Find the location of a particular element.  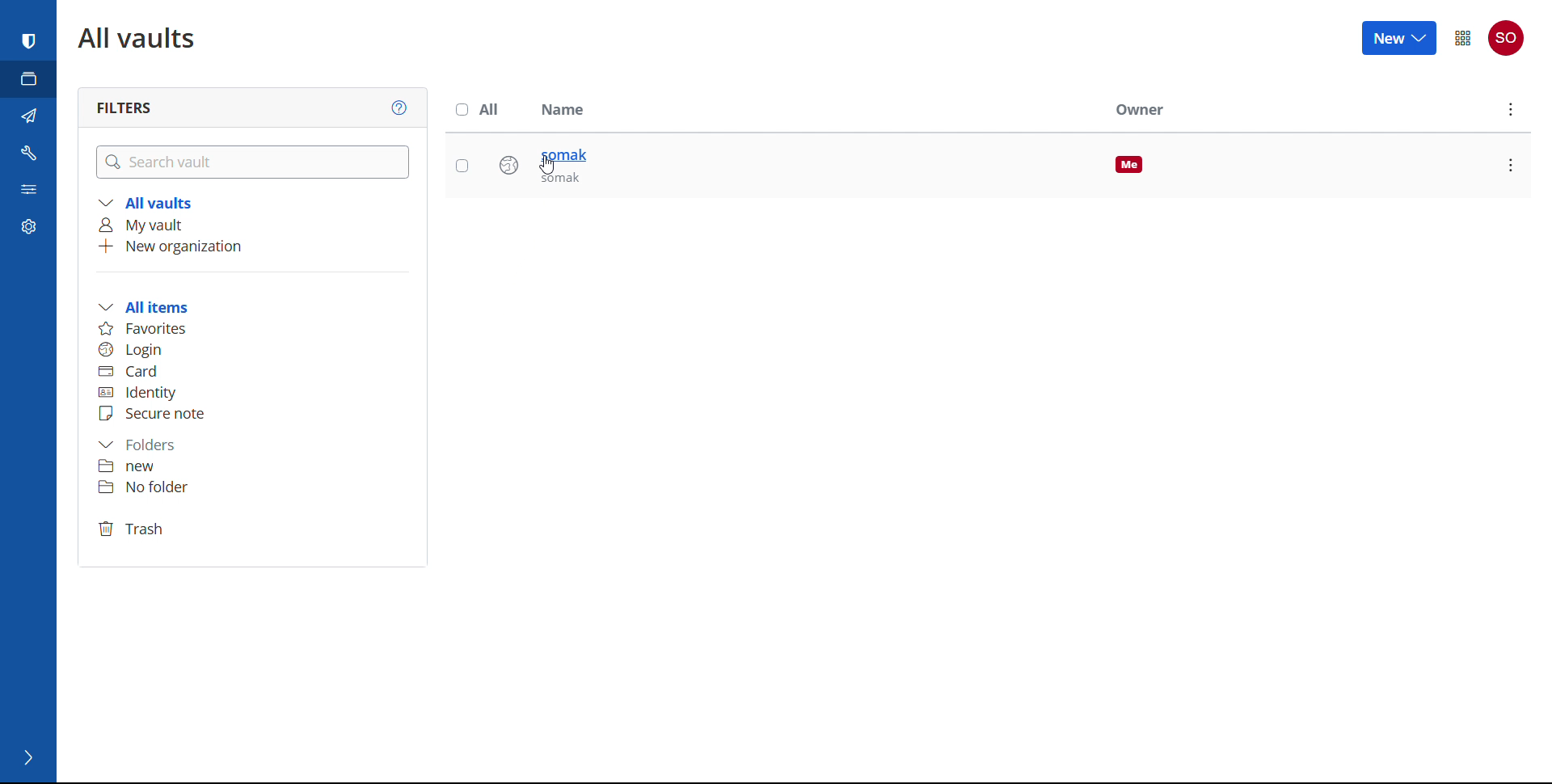

account is located at coordinates (1507, 38).